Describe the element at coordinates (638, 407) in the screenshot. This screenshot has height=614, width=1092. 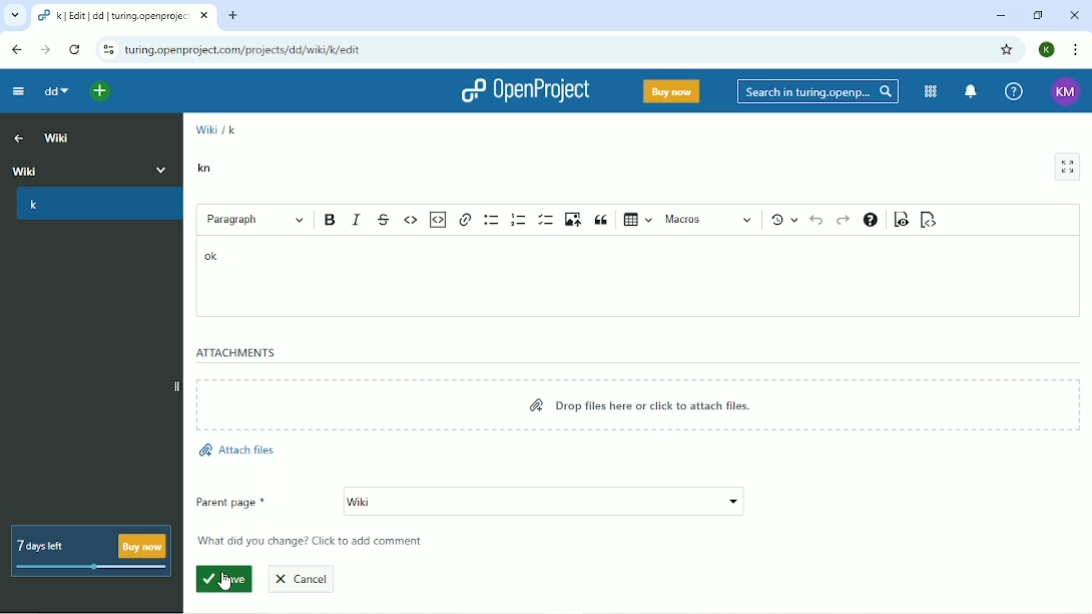
I see `Drop files here or click to attach files.` at that location.